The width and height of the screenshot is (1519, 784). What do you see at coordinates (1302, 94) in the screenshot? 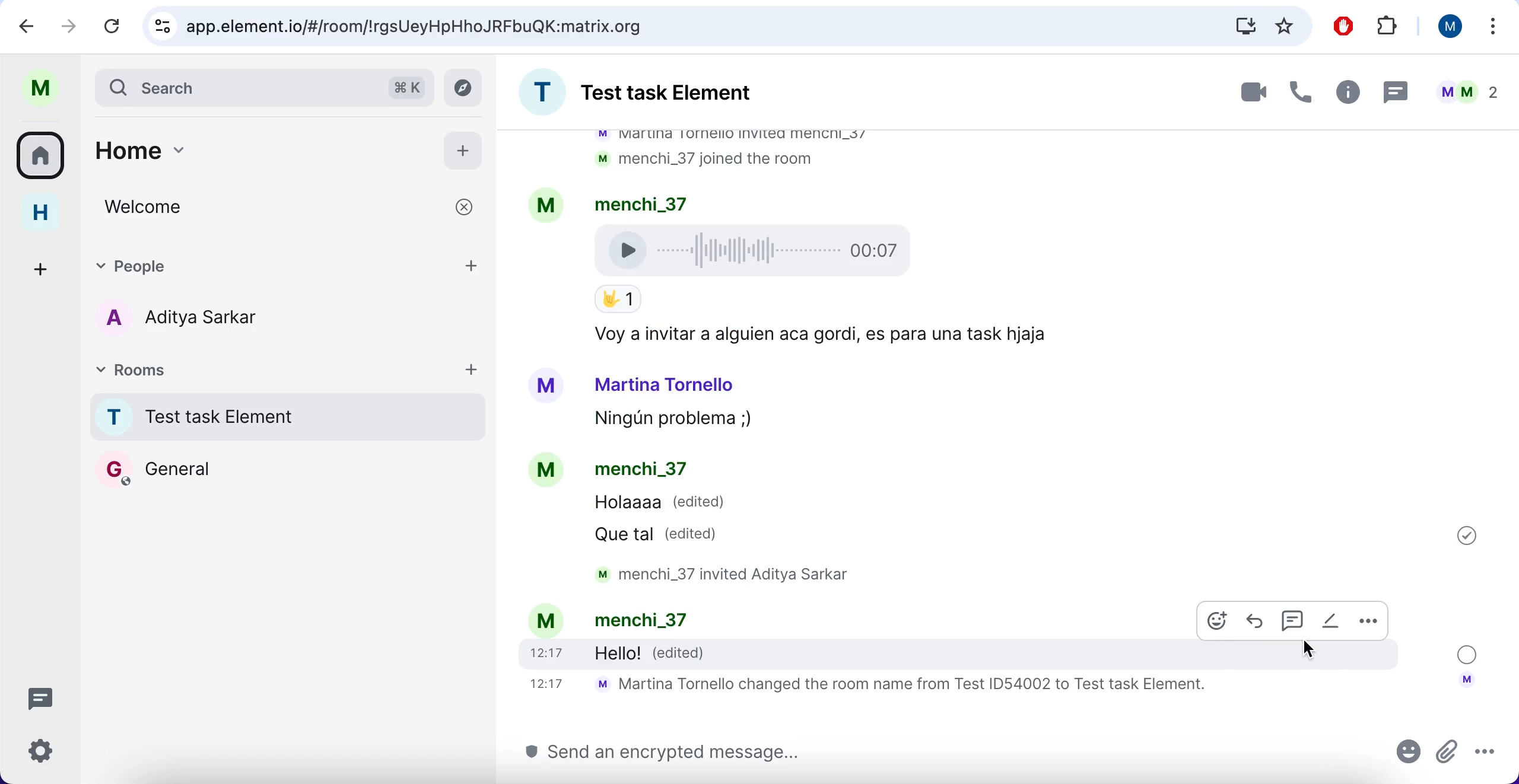
I see `call` at bounding box center [1302, 94].